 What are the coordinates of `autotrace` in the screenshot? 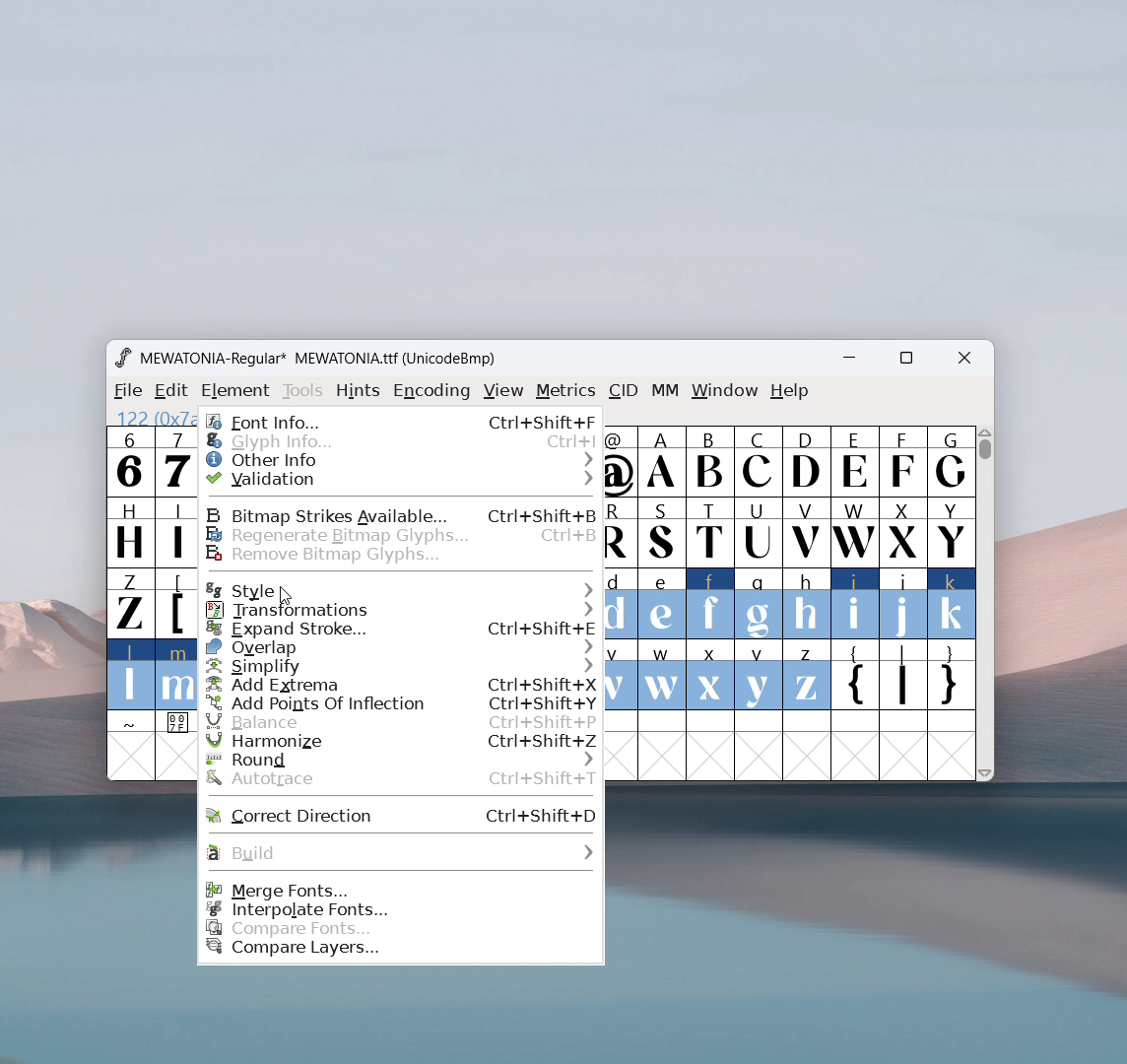 It's located at (402, 780).